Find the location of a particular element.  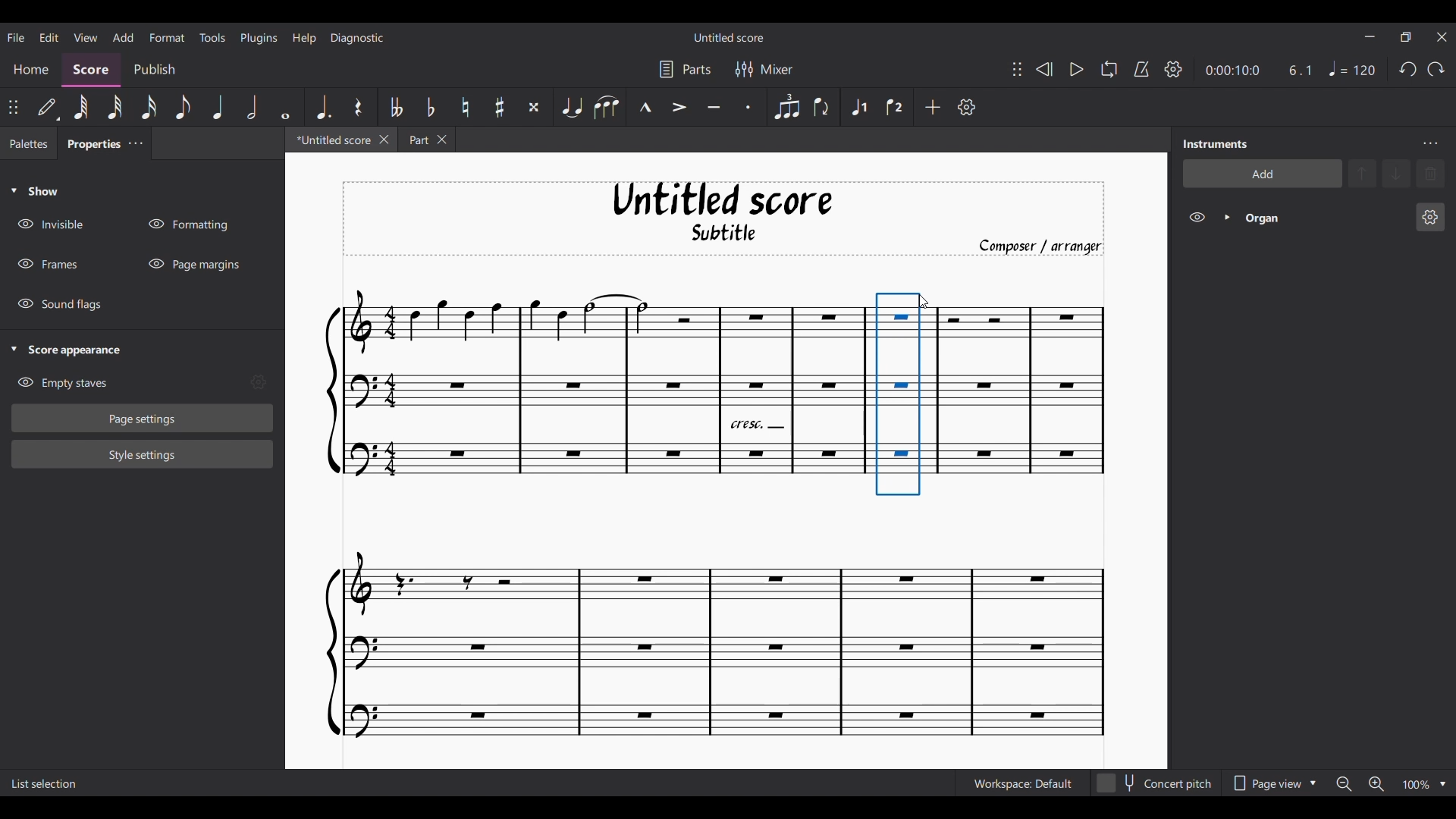

Whole note is located at coordinates (286, 108).